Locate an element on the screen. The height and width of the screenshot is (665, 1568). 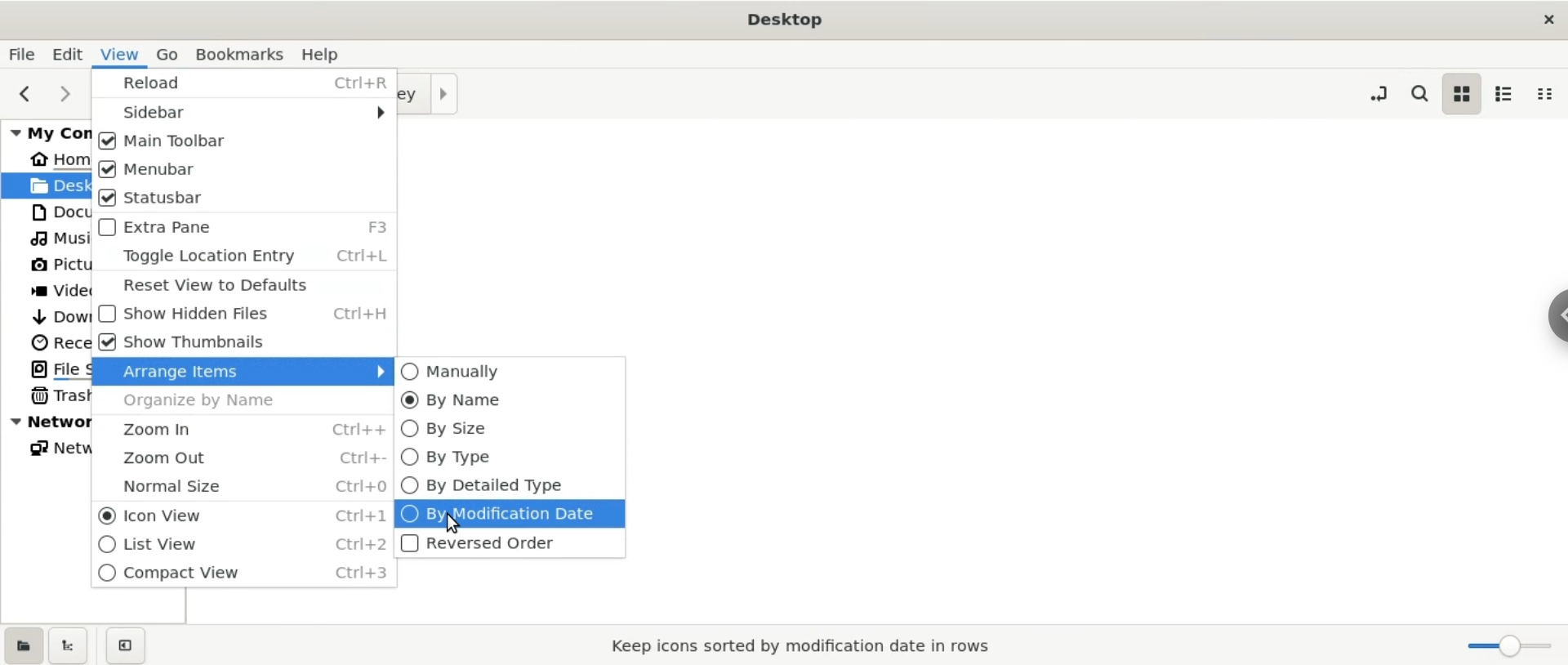
reload is located at coordinates (245, 85).